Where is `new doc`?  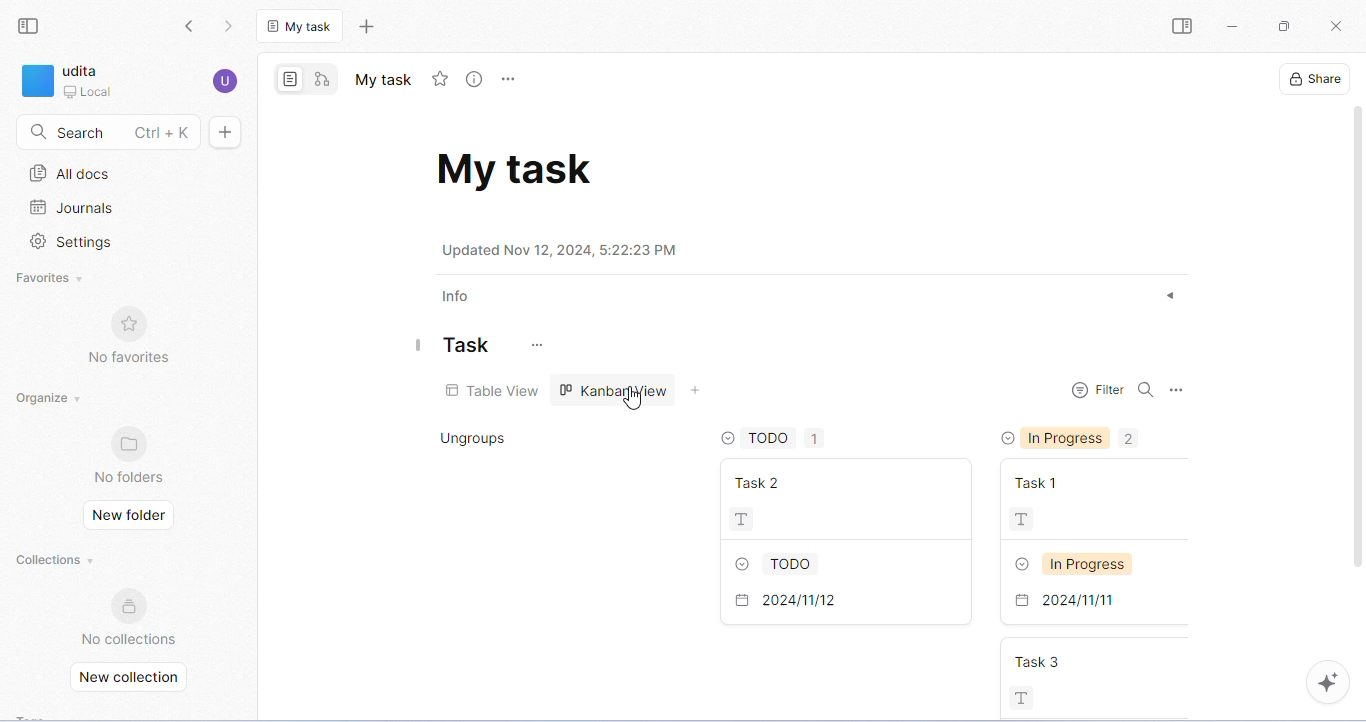
new doc is located at coordinates (228, 133).